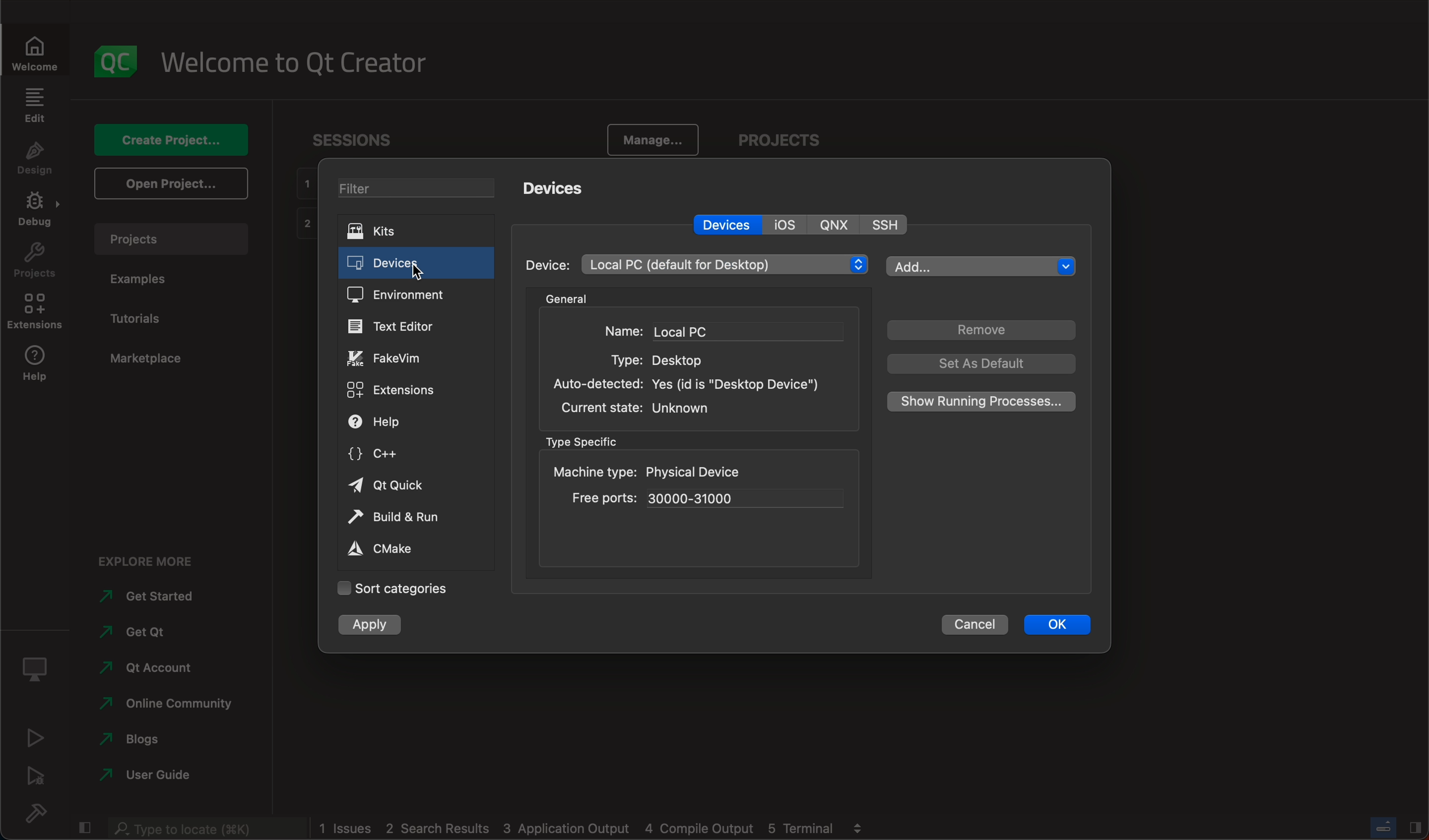 The width and height of the screenshot is (1429, 840). I want to click on edit, so click(36, 108).